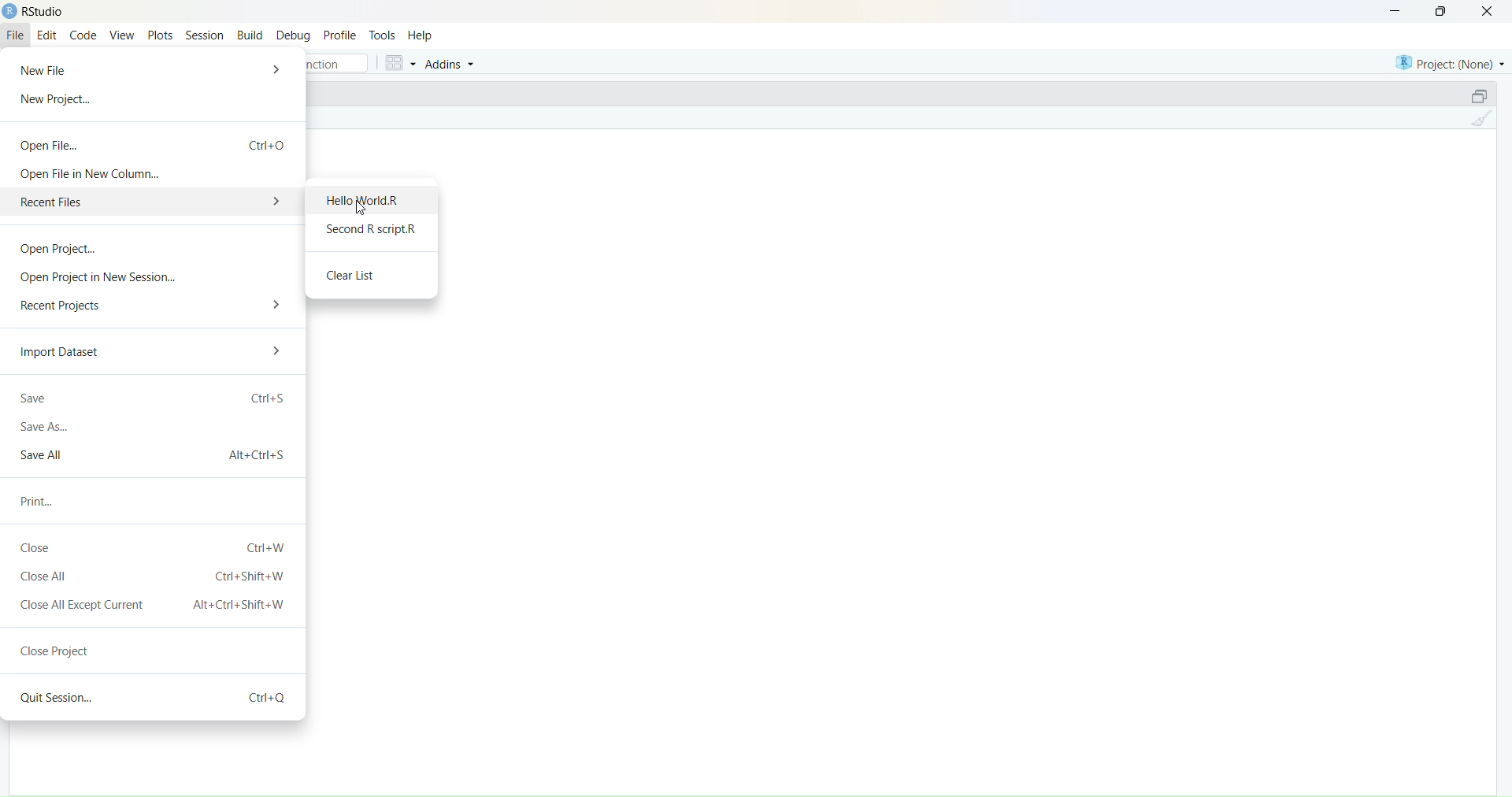 The image size is (1512, 797). I want to click on Second R script.R, so click(372, 231).